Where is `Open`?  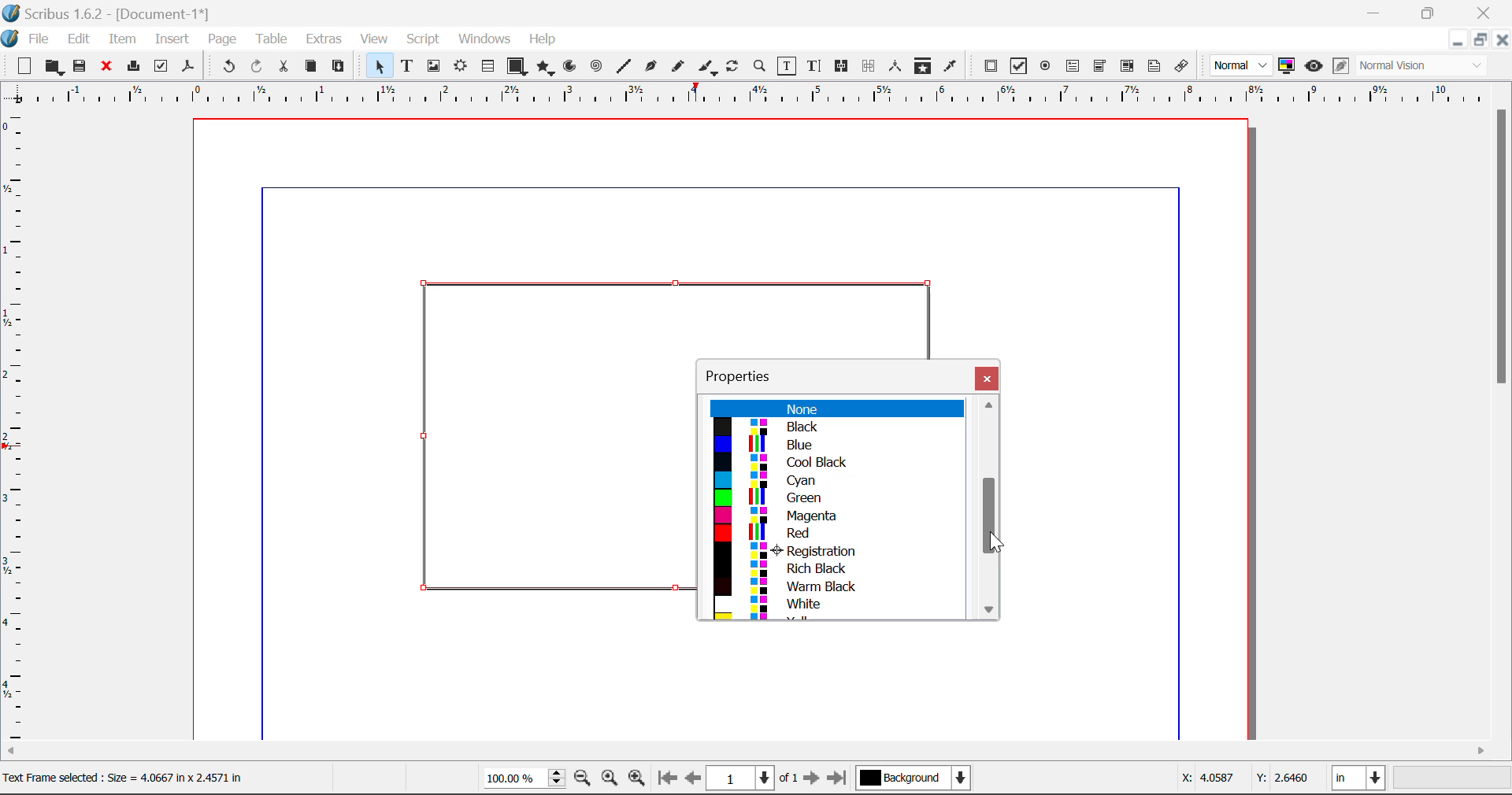 Open is located at coordinates (54, 67).